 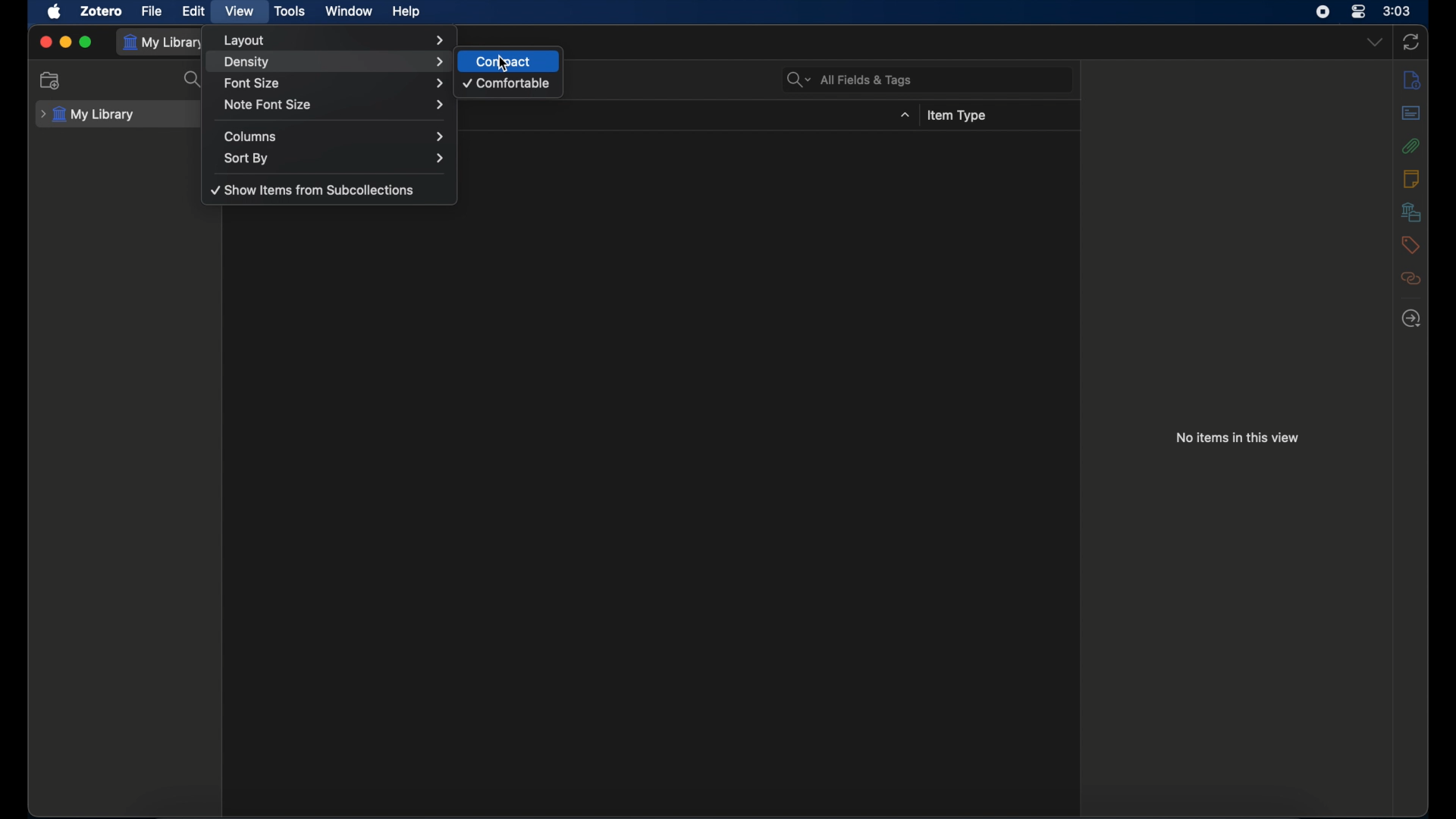 What do you see at coordinates (1357, 11) in the screenshot?
I see `control center` at bounding box center [1357, 11].